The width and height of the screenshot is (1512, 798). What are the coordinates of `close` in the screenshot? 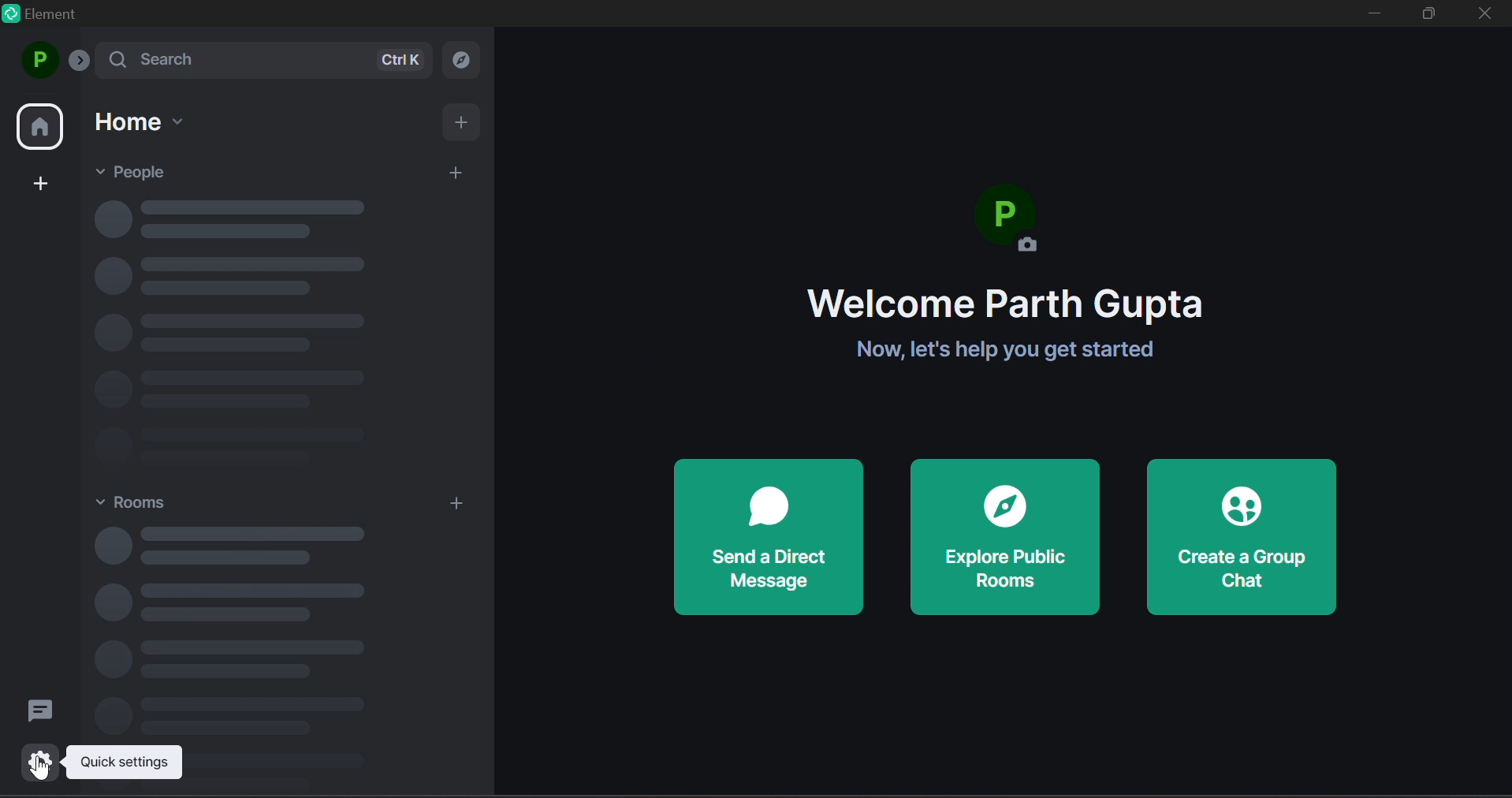 It's located at (1486, 14).